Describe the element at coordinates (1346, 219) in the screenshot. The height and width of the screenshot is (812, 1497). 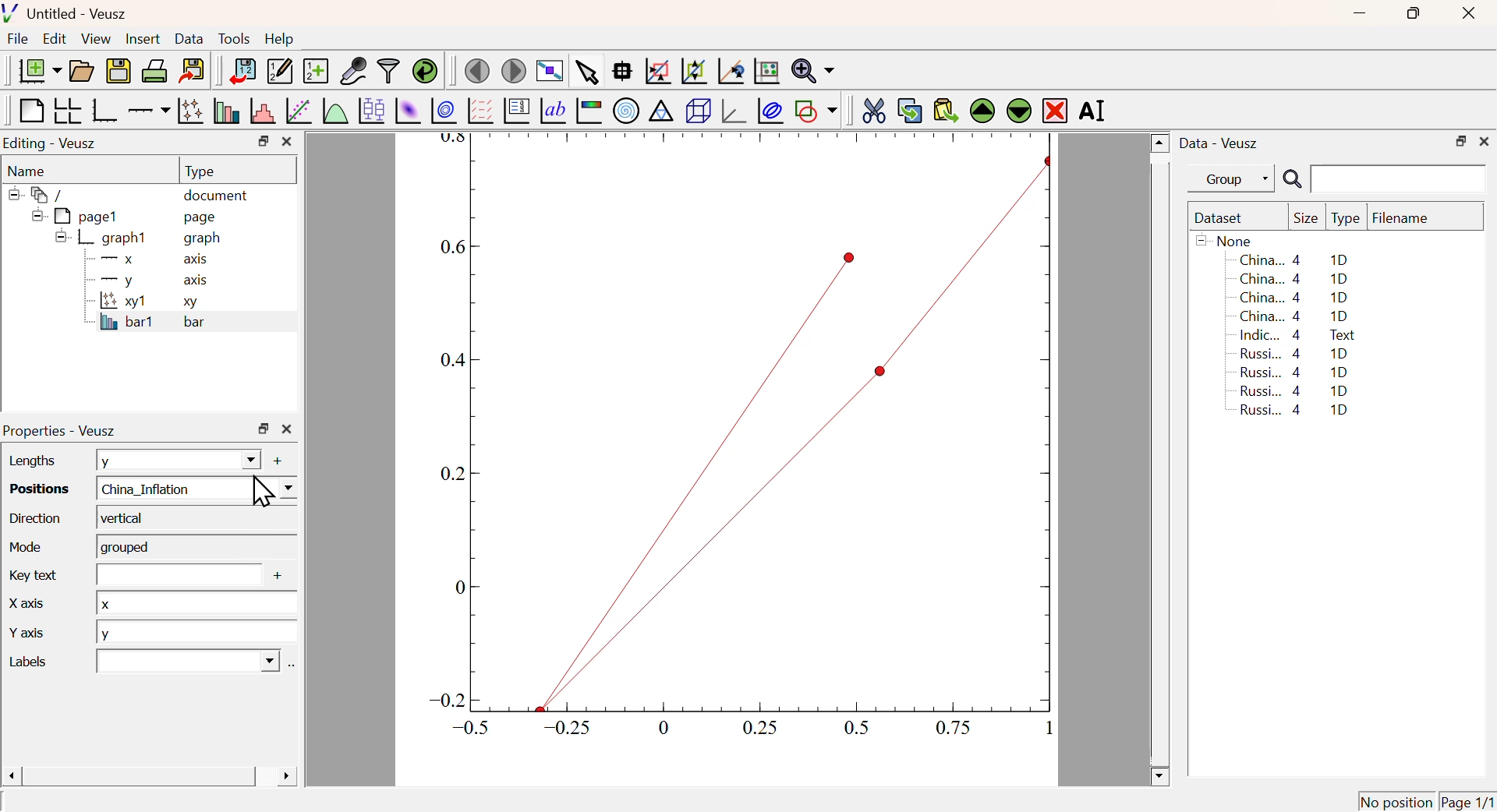
I see `Type` at that location.